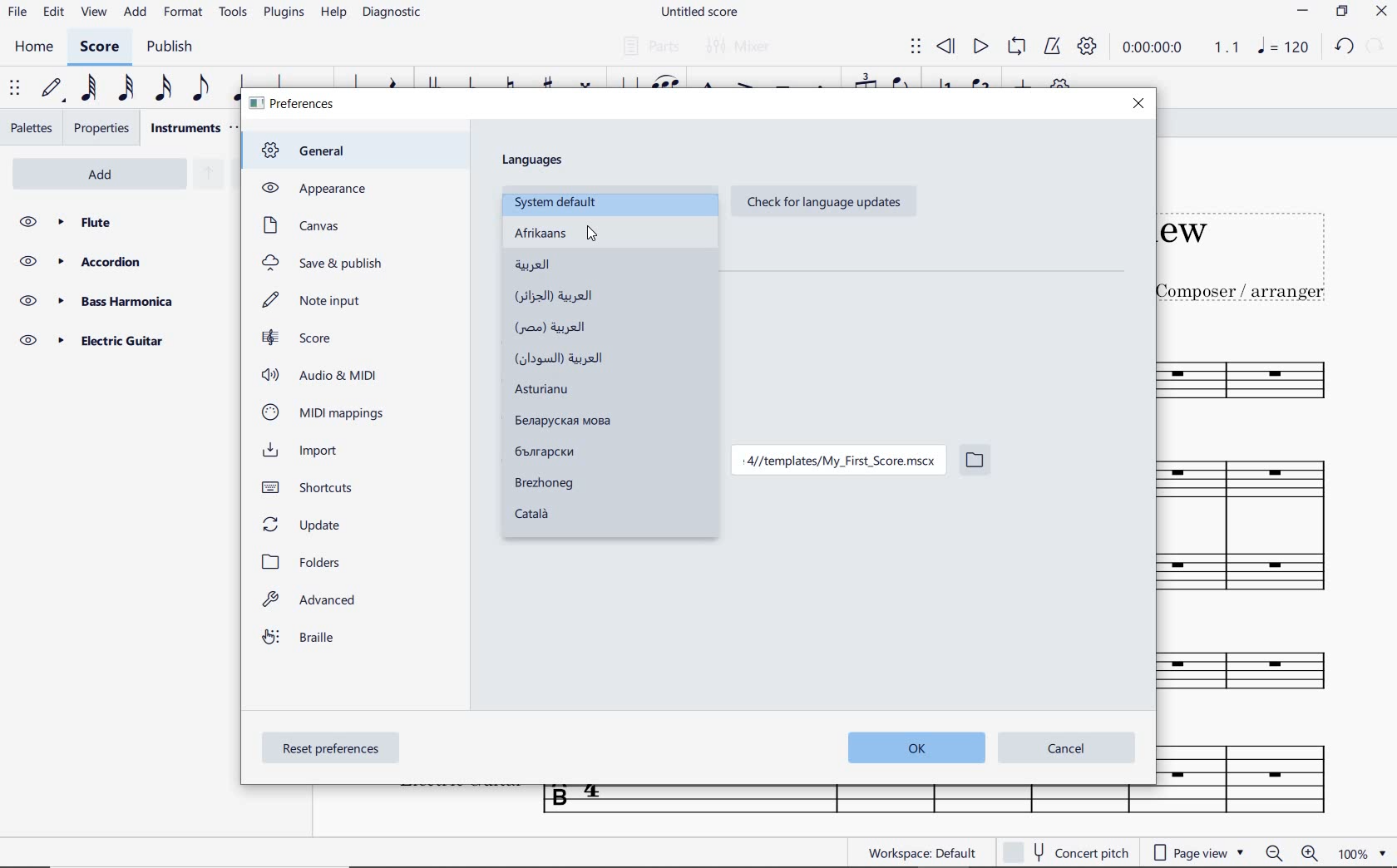 Image resolution: width=1397 pixels, height=868 pixels. Describe the element at coordinates (87, 89) in the screenshot. I see `64th note` at that location.